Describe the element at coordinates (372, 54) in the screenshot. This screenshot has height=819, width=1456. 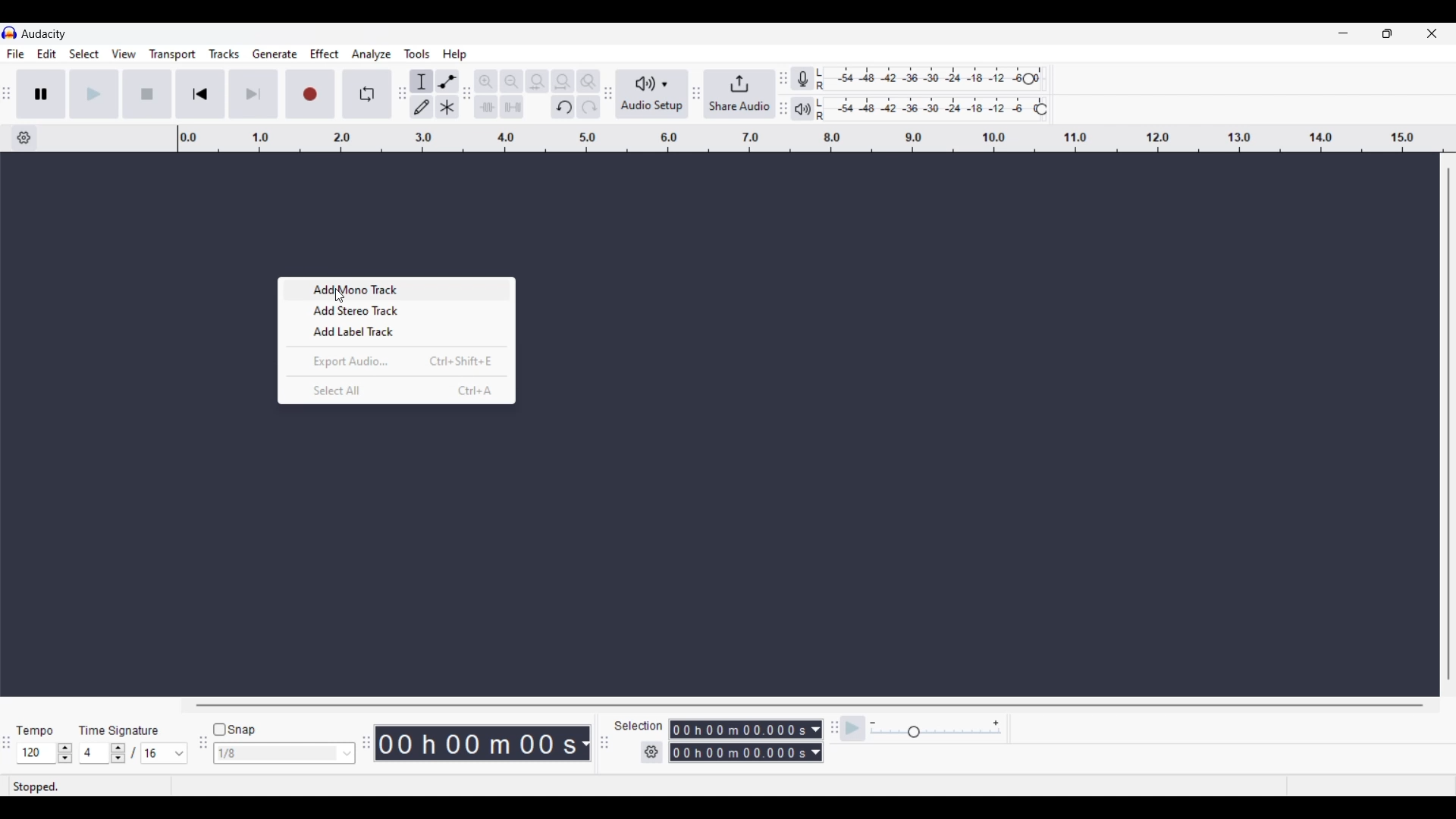
I see `Analyze menu` at that location.